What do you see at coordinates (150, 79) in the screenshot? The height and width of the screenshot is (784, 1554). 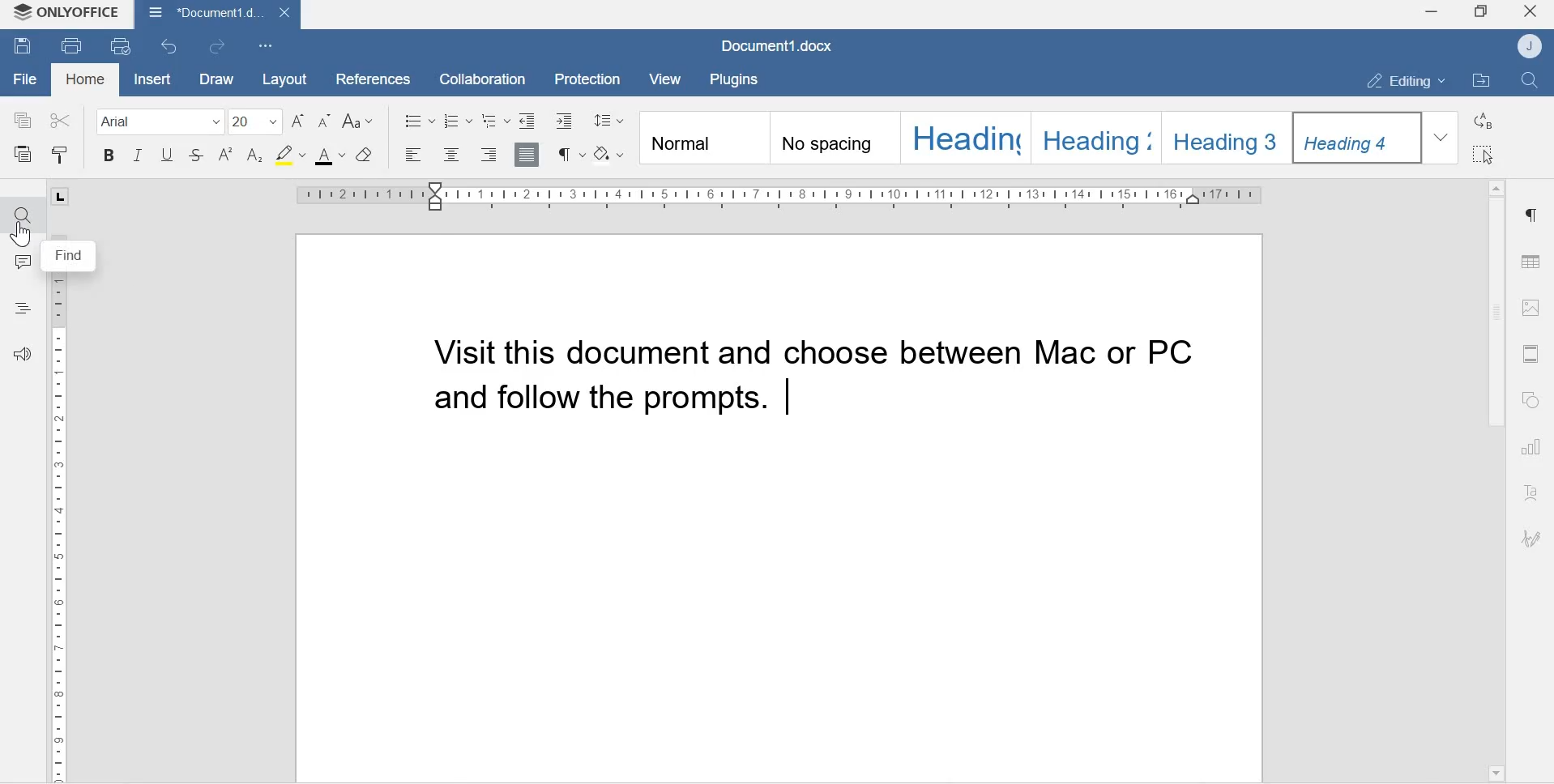 I see `Insert` at bounding box center [150, 79].